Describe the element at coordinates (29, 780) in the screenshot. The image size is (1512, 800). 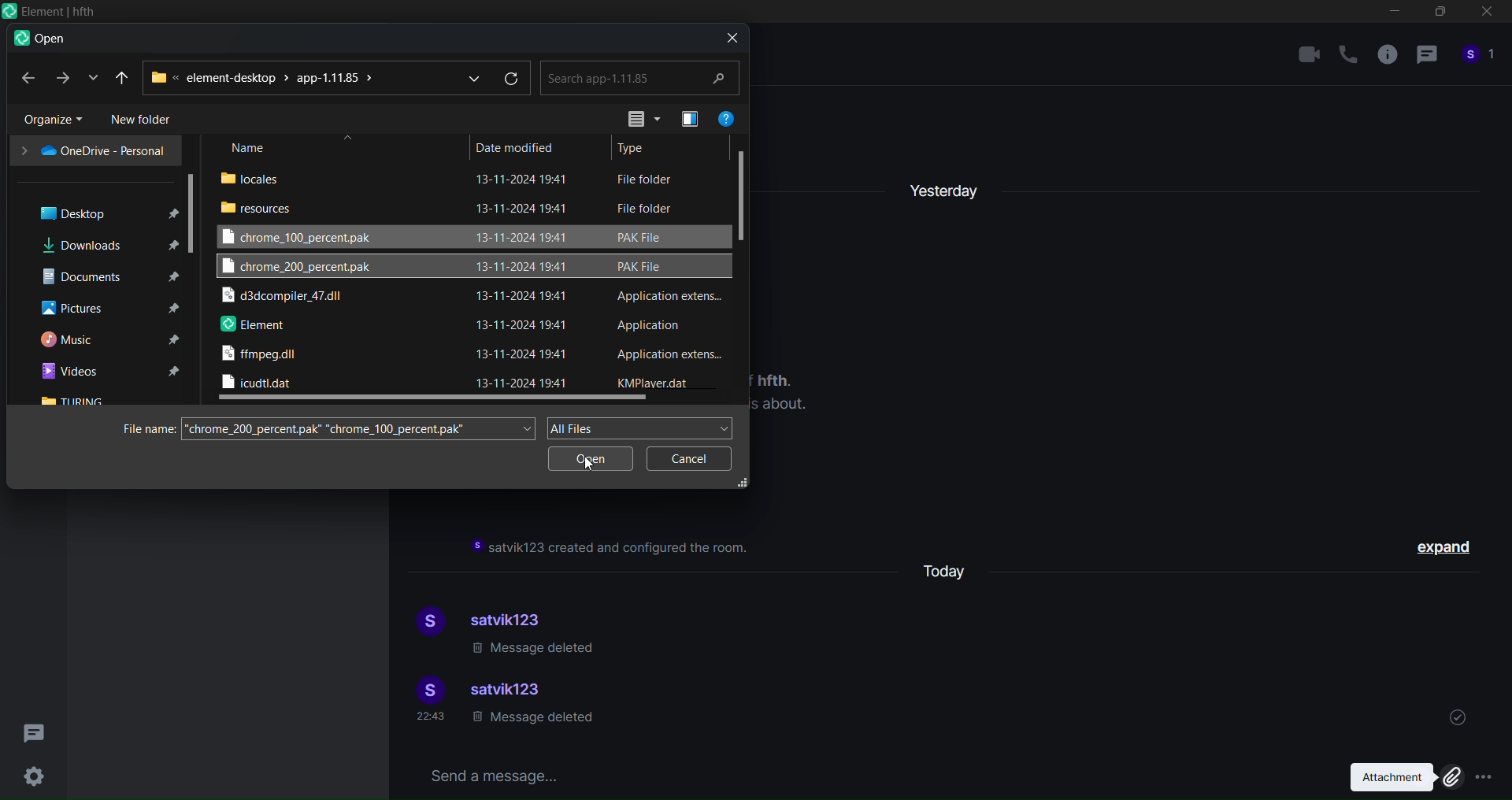
I see `Settings` at that location.